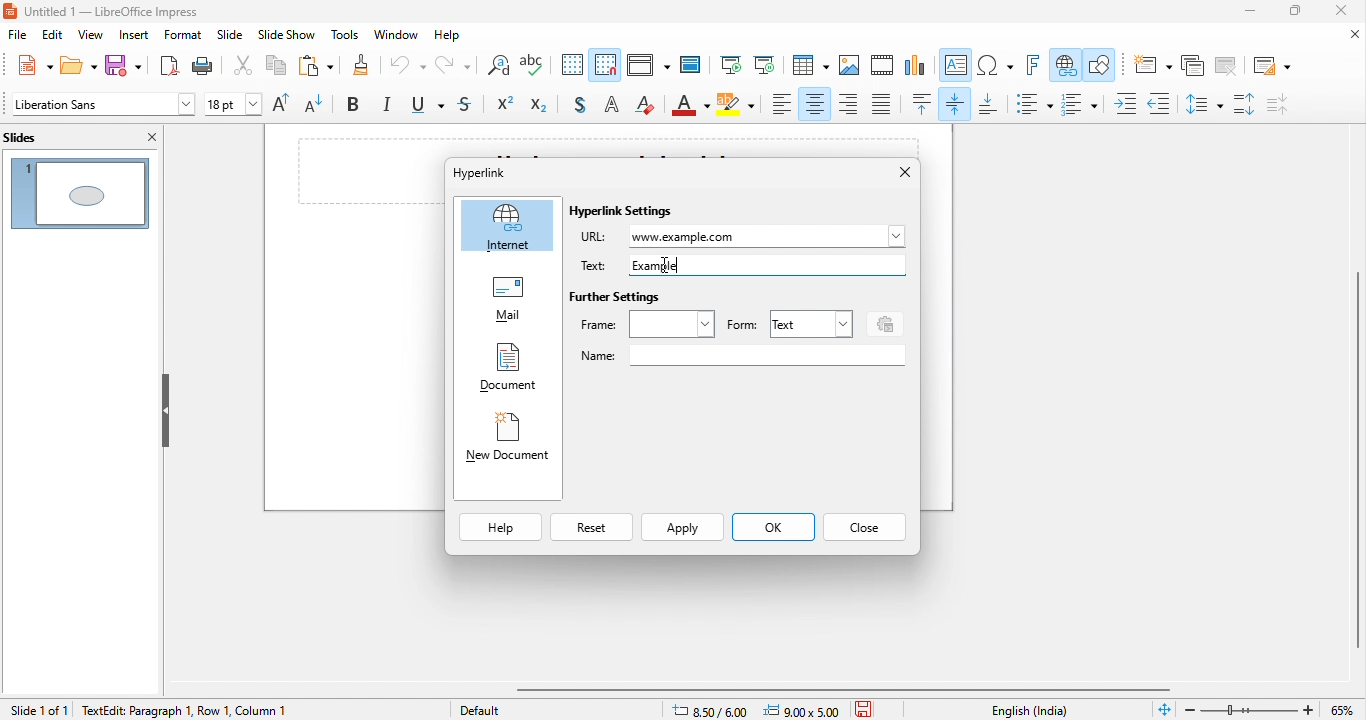  I want to click on increase indent, so click(1127, 103).